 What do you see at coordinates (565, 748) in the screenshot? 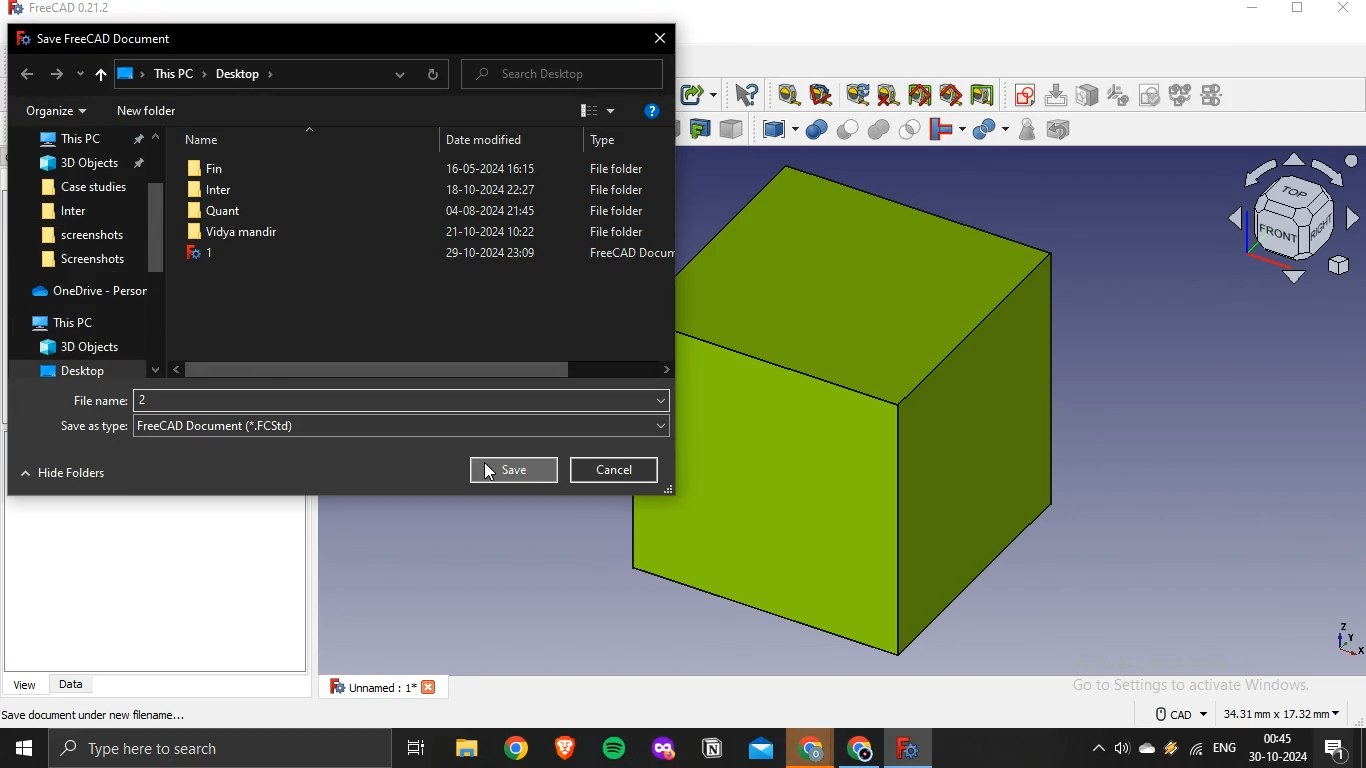
I see `brave` at bounding box center [565, 748].